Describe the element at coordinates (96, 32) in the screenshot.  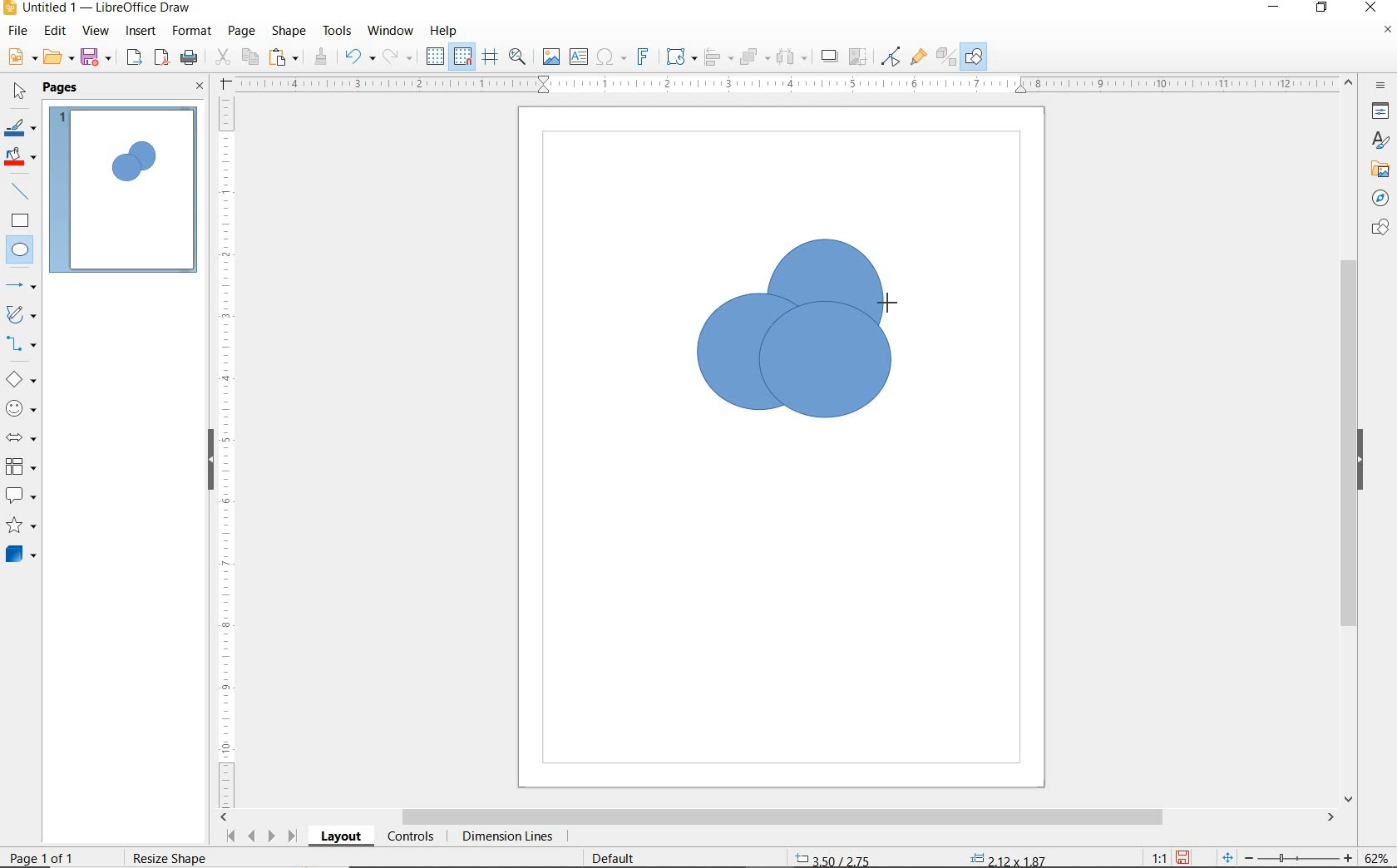
I see `VIEW` at that location.